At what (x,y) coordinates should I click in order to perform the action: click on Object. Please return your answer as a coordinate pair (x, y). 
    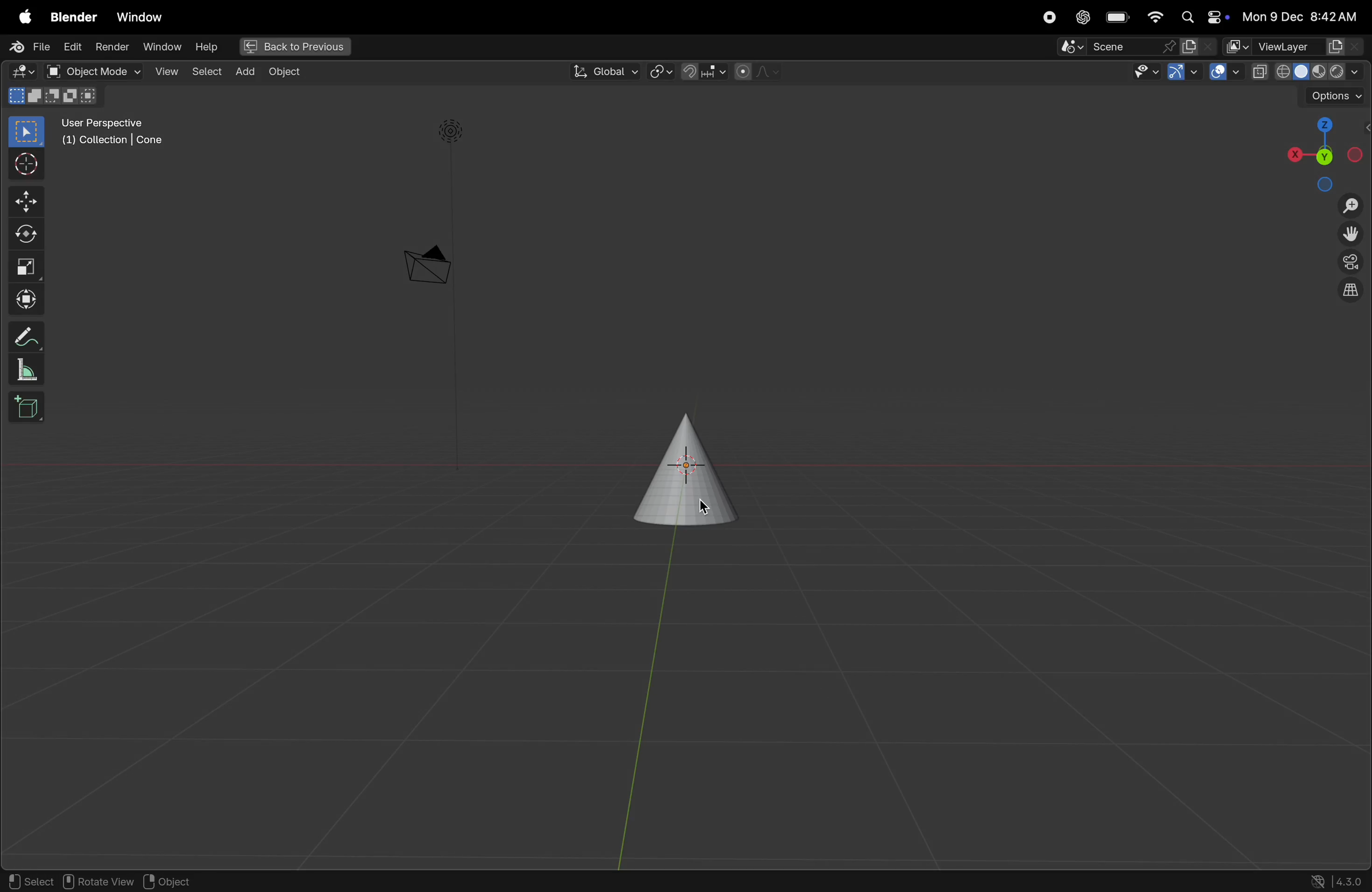
    Looking at the image, I should click on (288, 72).